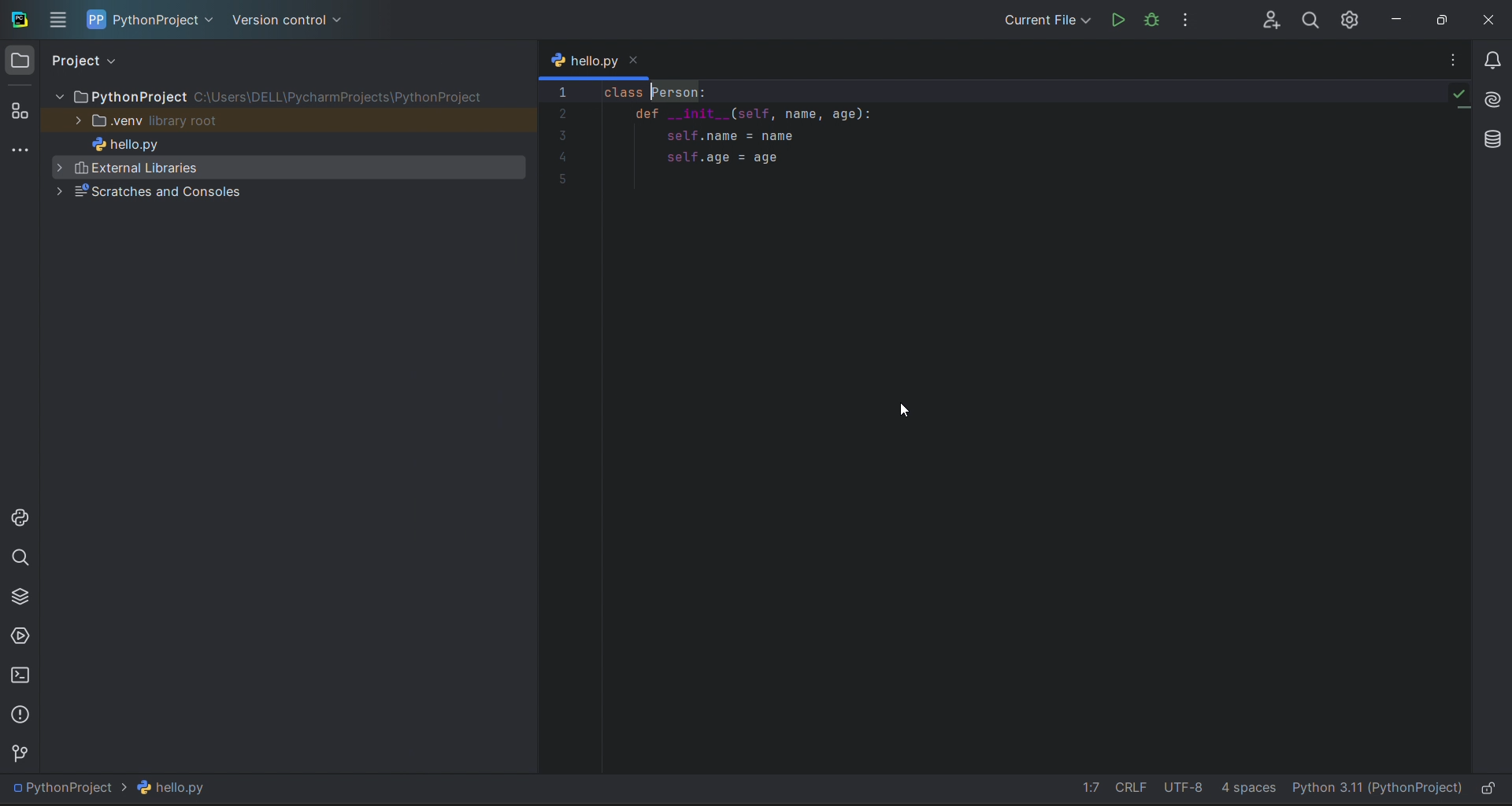 This screenshot has width=1512, height=806. I want to click on unlock icon, so click(1488, 787).